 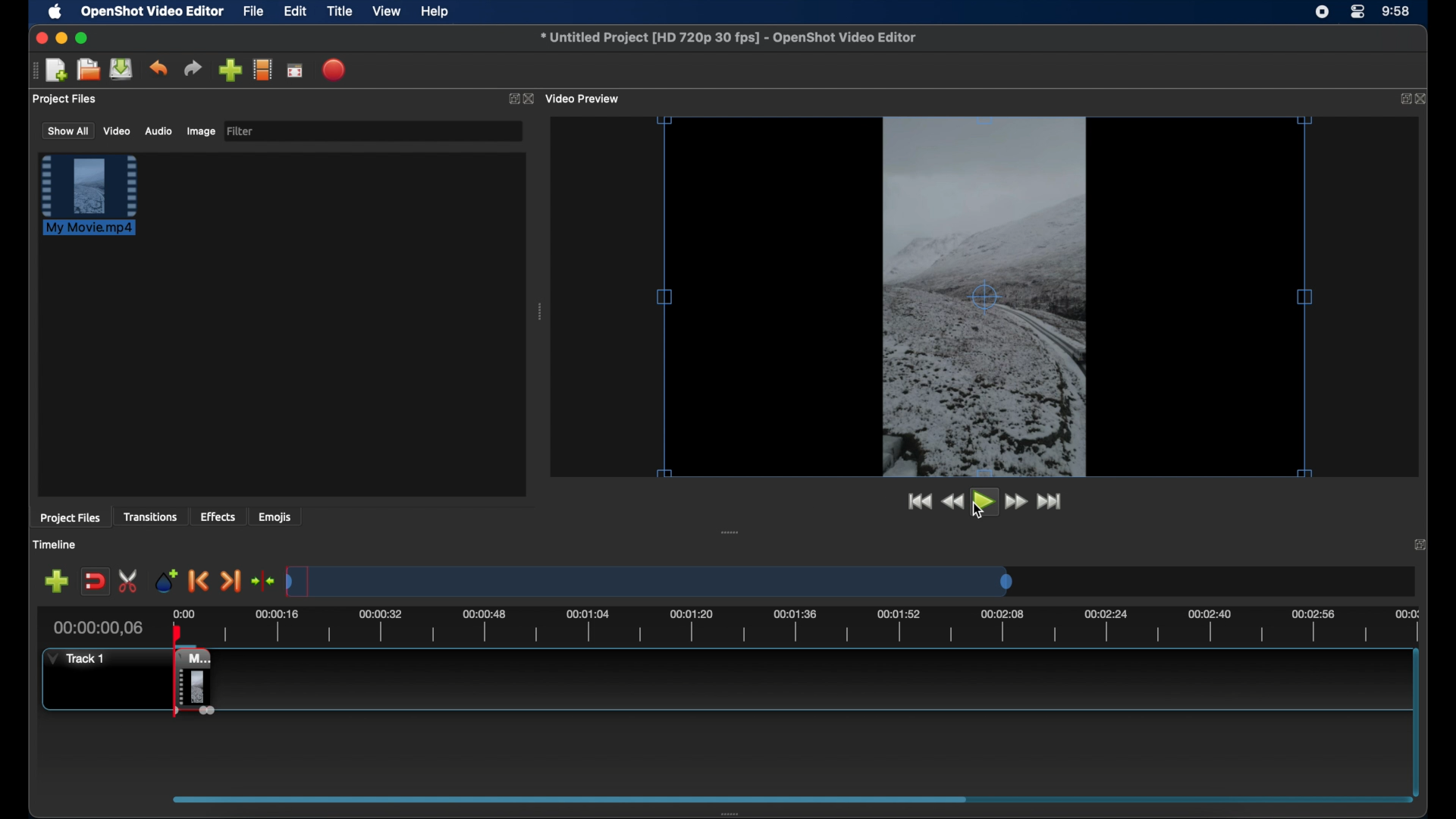 I want to click on previous marker, so click(x=199, y=581).